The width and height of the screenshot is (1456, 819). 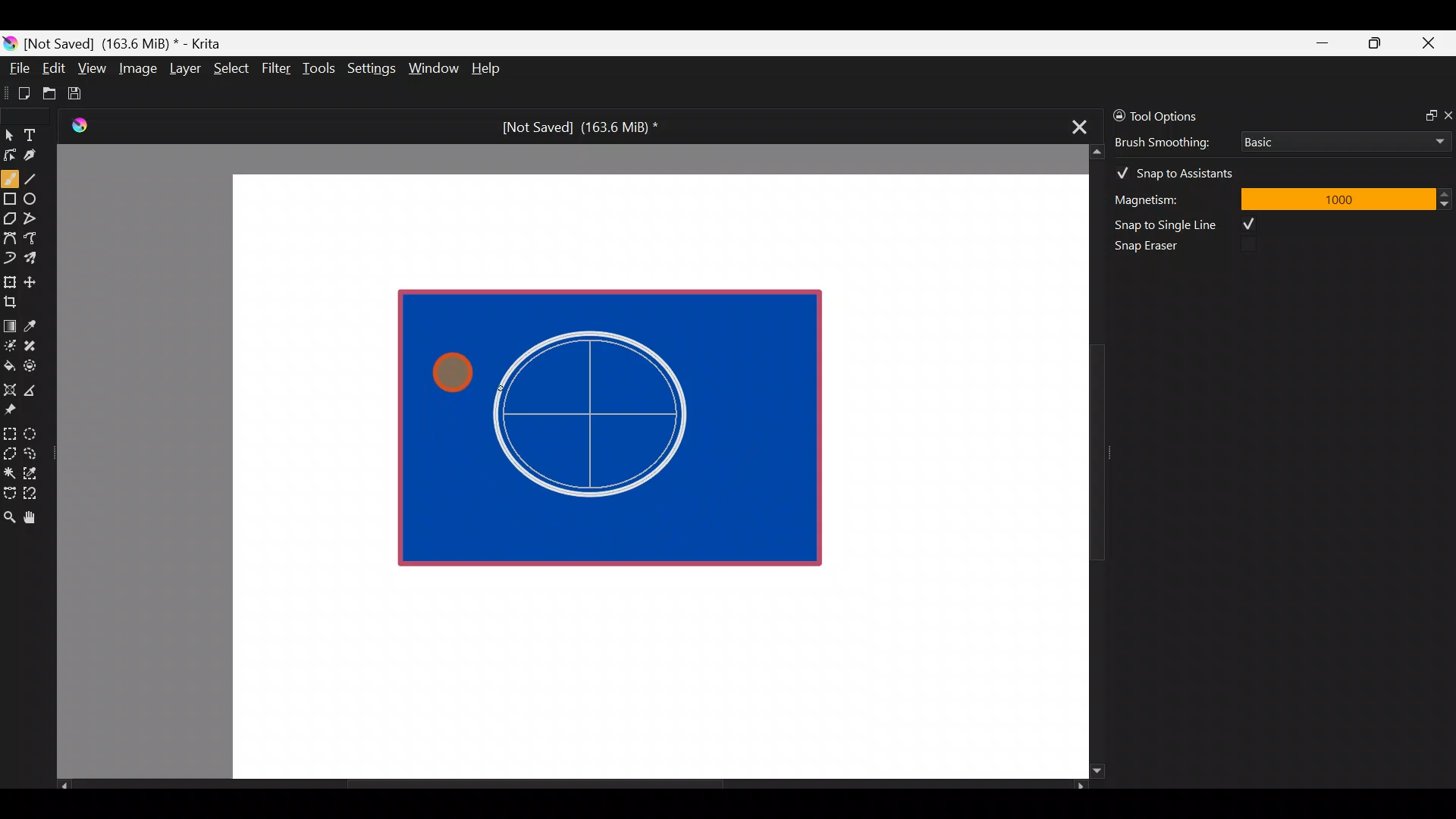 I want to click on Sample a colour from the image/current layer, so click(x=36, y=324).